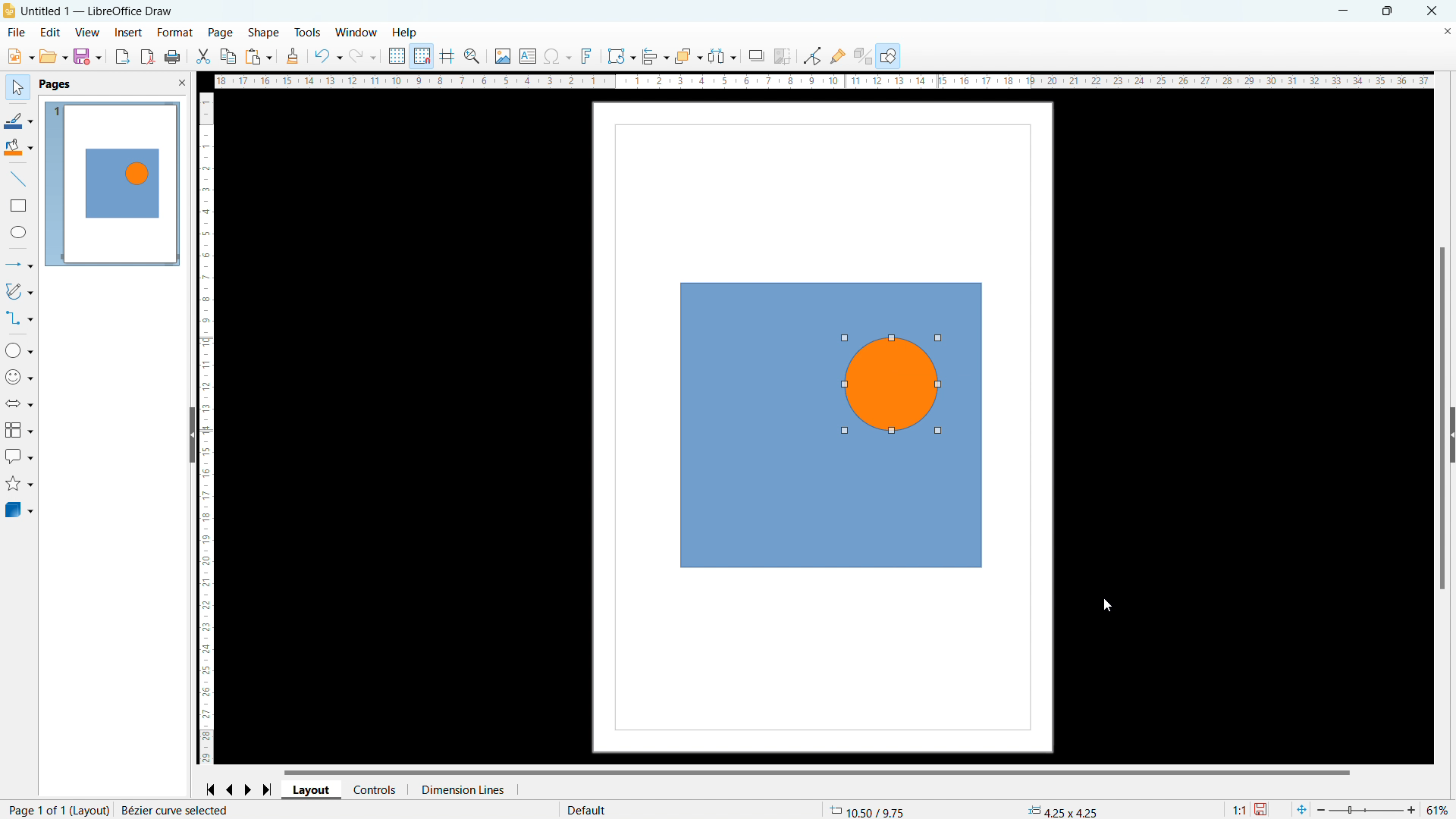 Image resolution: width=1456 pixels, height=819 pixels. I want to click on edit, so click(49, 32).